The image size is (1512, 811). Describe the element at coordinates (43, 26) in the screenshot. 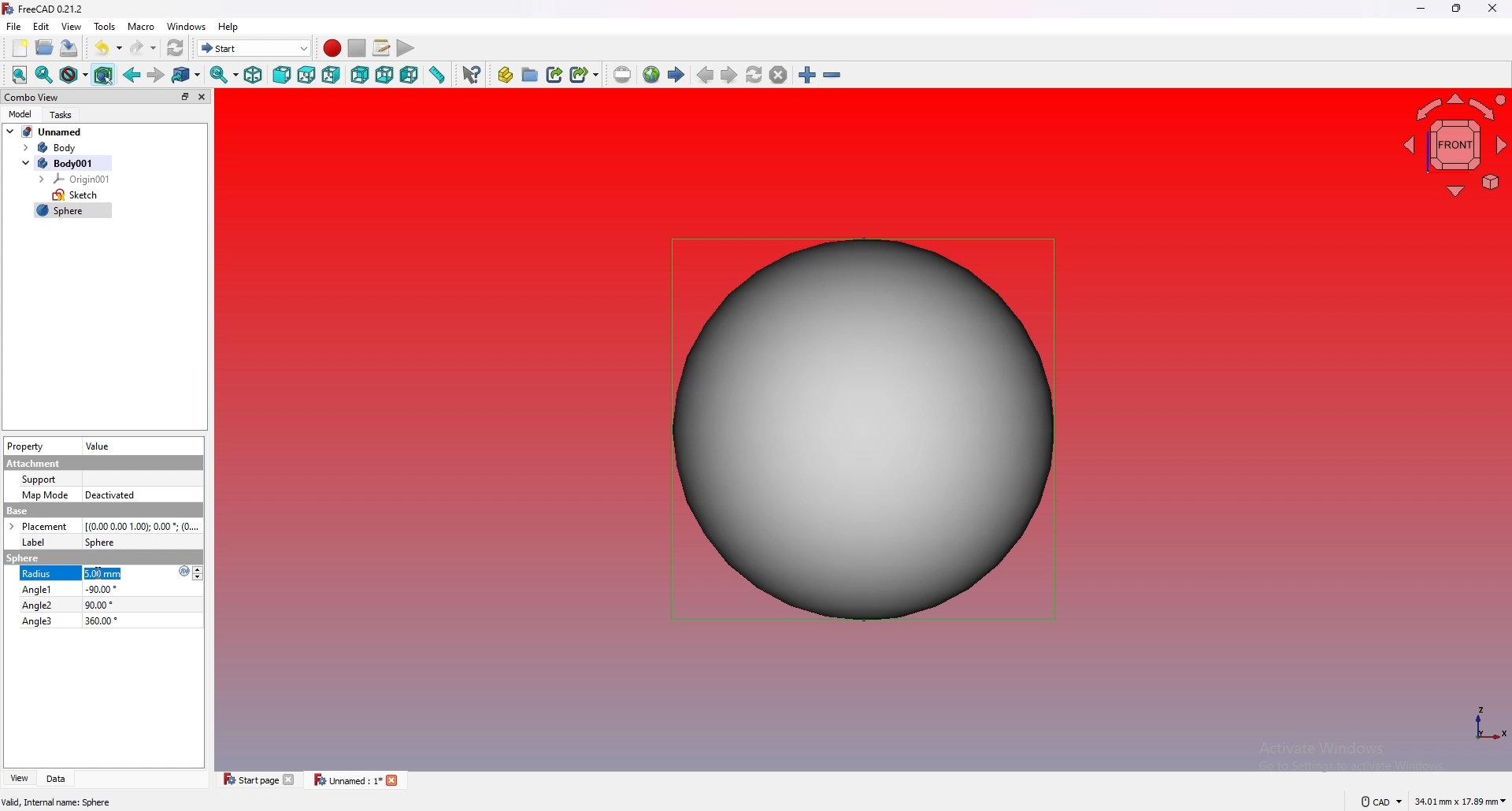

I see `edit` at that location.